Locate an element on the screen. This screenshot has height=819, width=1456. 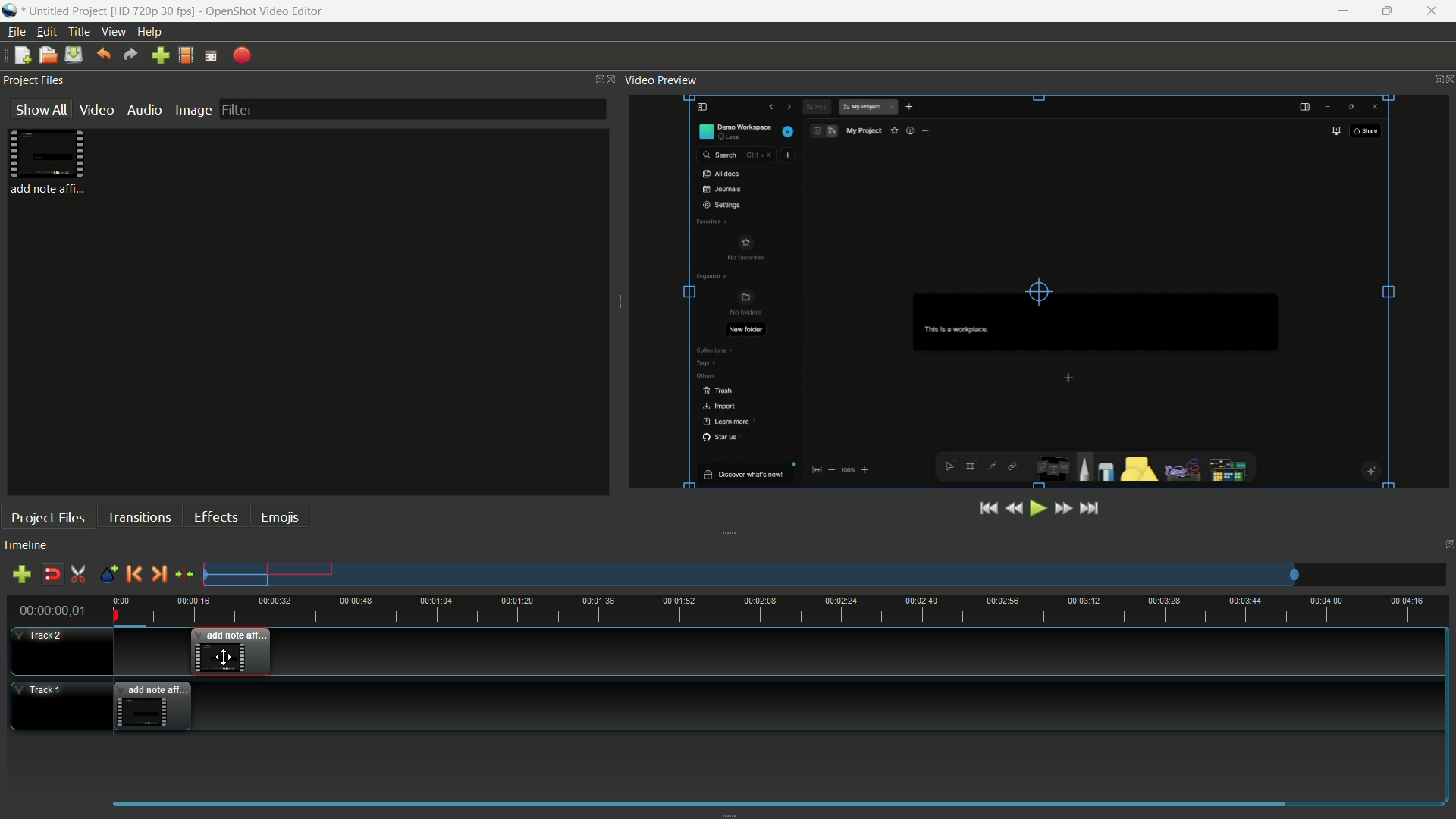
app icon is located at coordinates (11, 11).